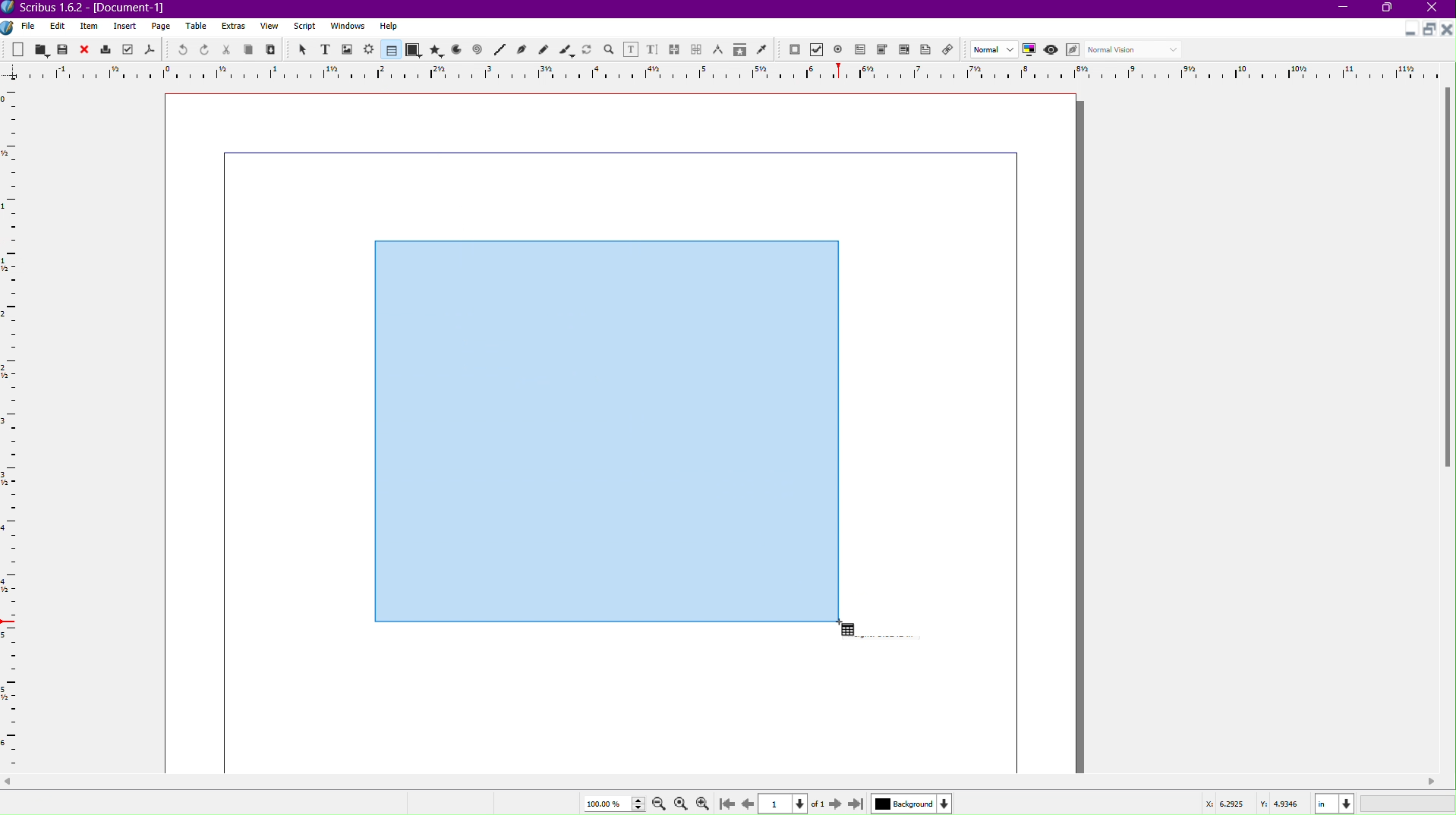 This screenshot has width=1456, height=815. What do you see at coordinates (761, 49) in the screenshot?
I see `Eye Dropper` at bounding box center [761, 49].